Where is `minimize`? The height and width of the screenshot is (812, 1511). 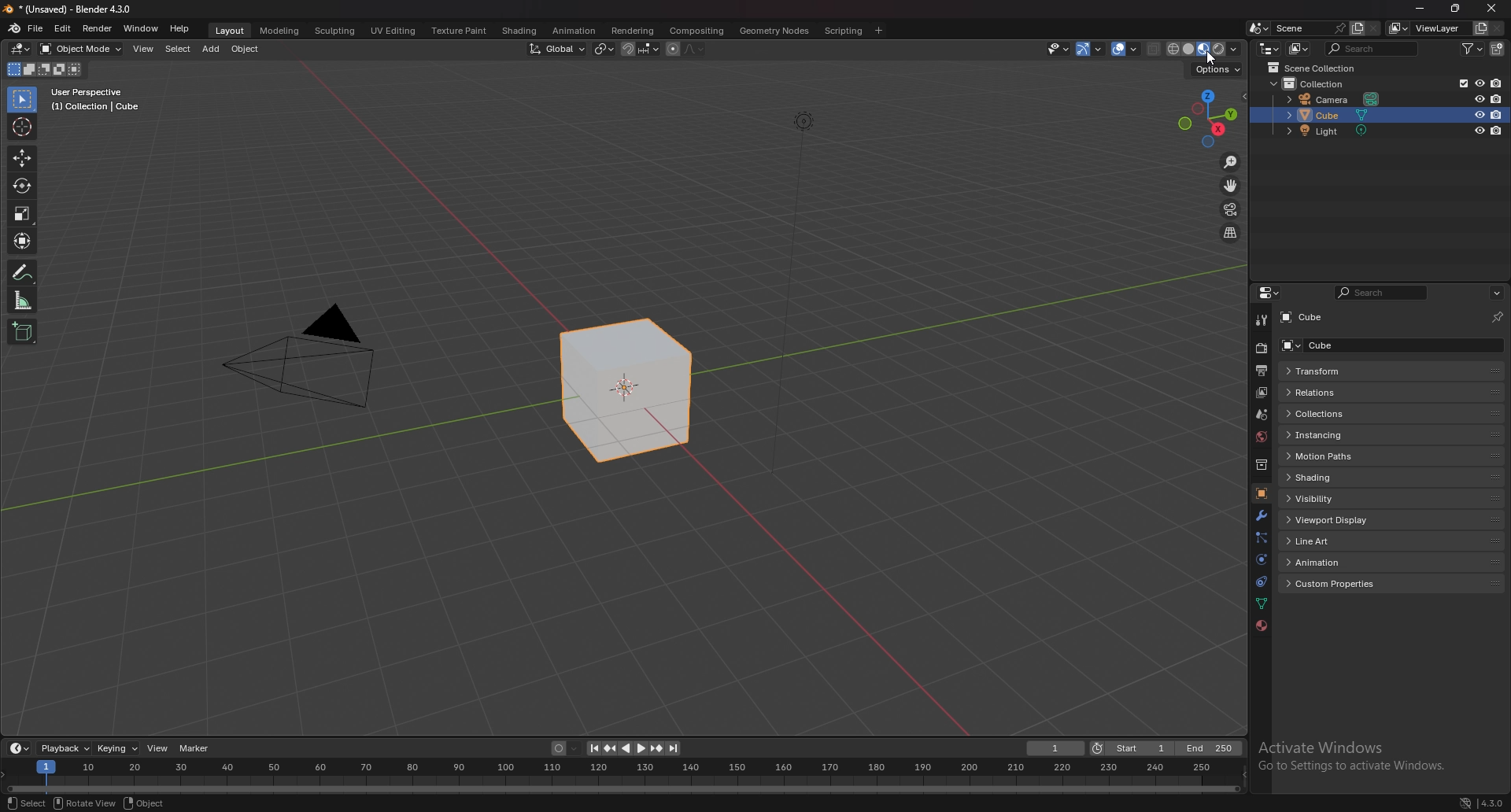
minimize is located at coordinates (1421, 8).